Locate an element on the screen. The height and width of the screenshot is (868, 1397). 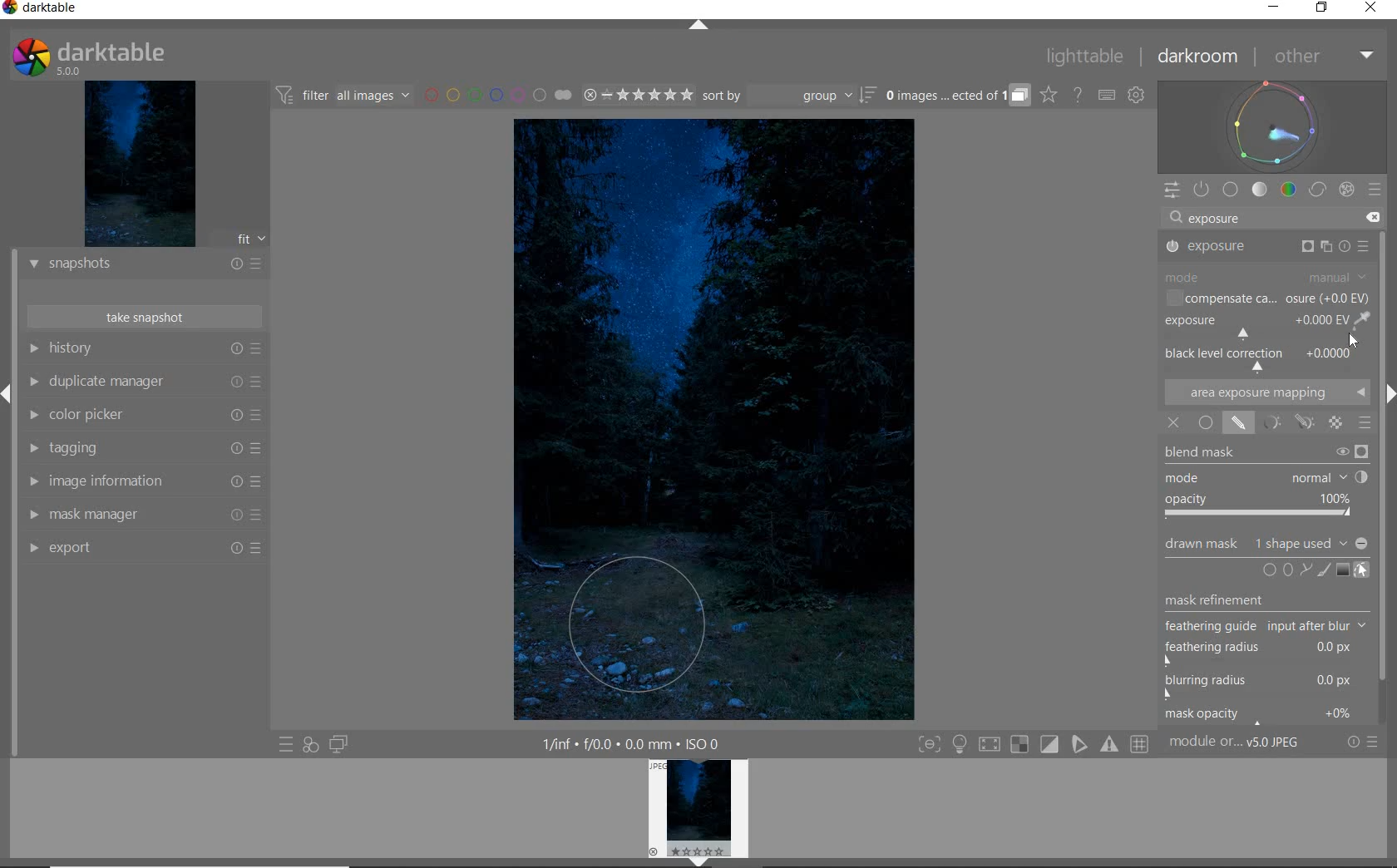
TOGGLE MODES is located at coordinates (1033, 744).